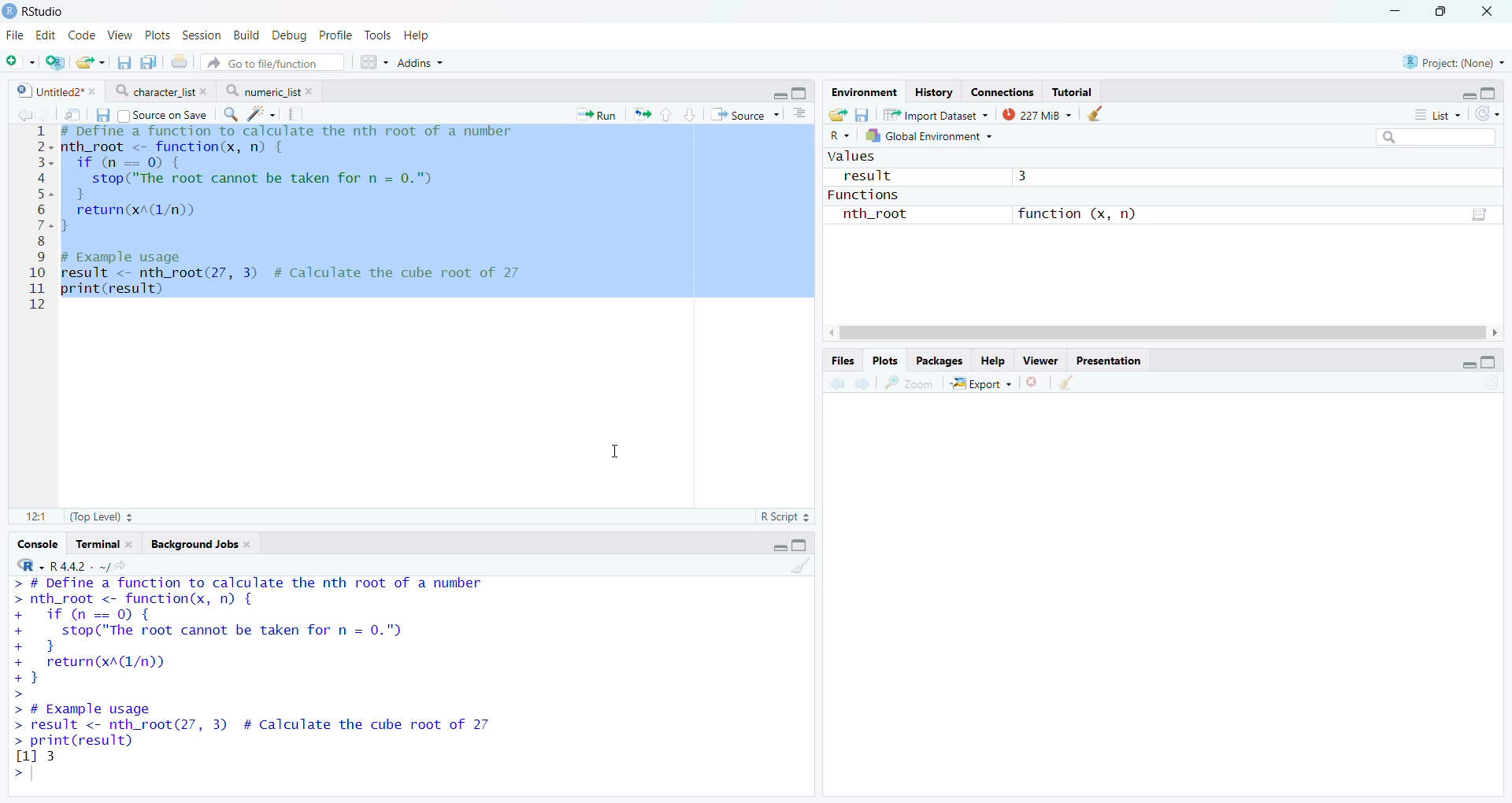 The image size is (1512, 803). I want to click on Print, so click(178, 62).